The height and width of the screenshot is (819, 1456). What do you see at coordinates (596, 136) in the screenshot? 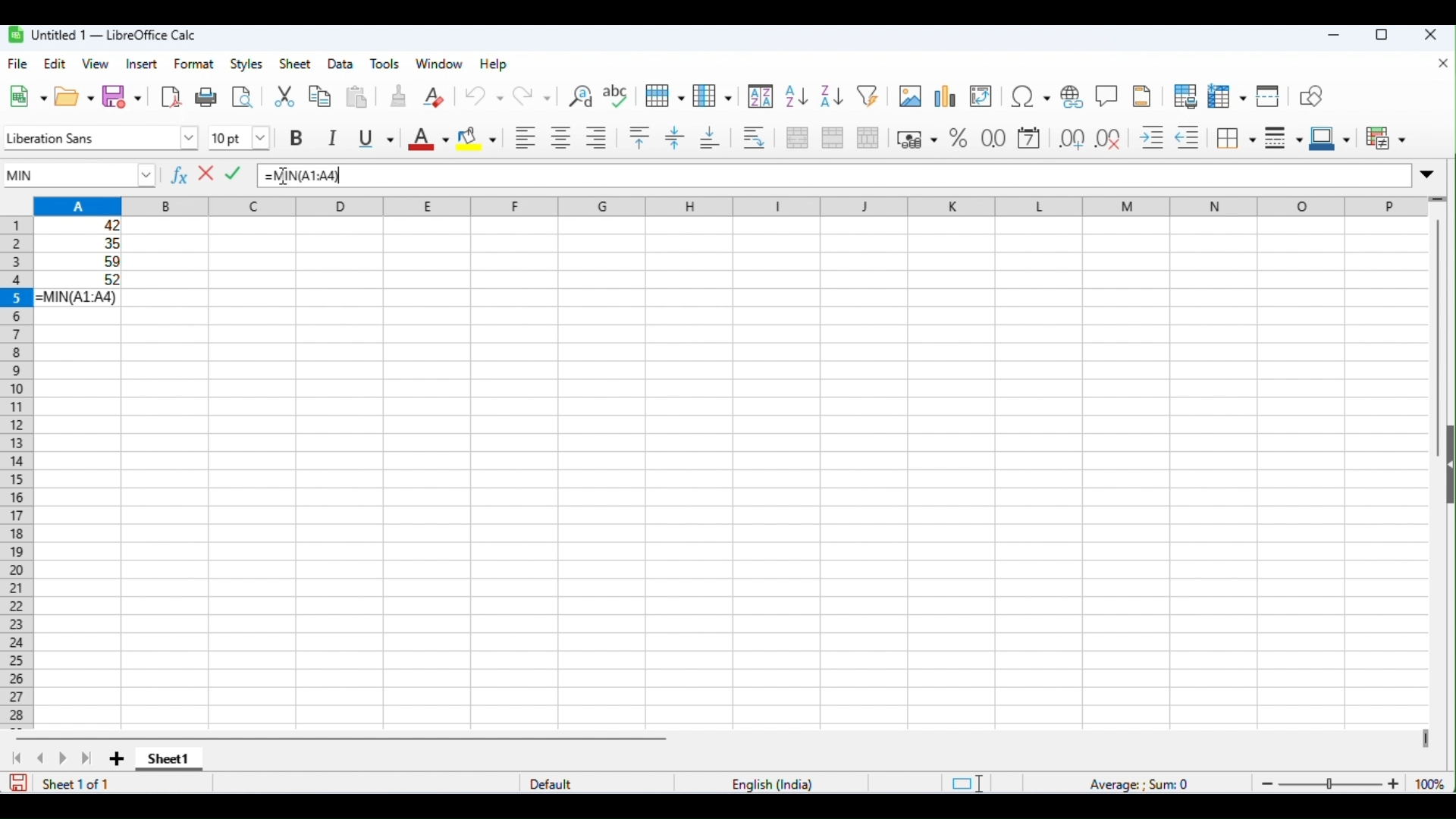
I see `align right` at bounding box center [596, 136].